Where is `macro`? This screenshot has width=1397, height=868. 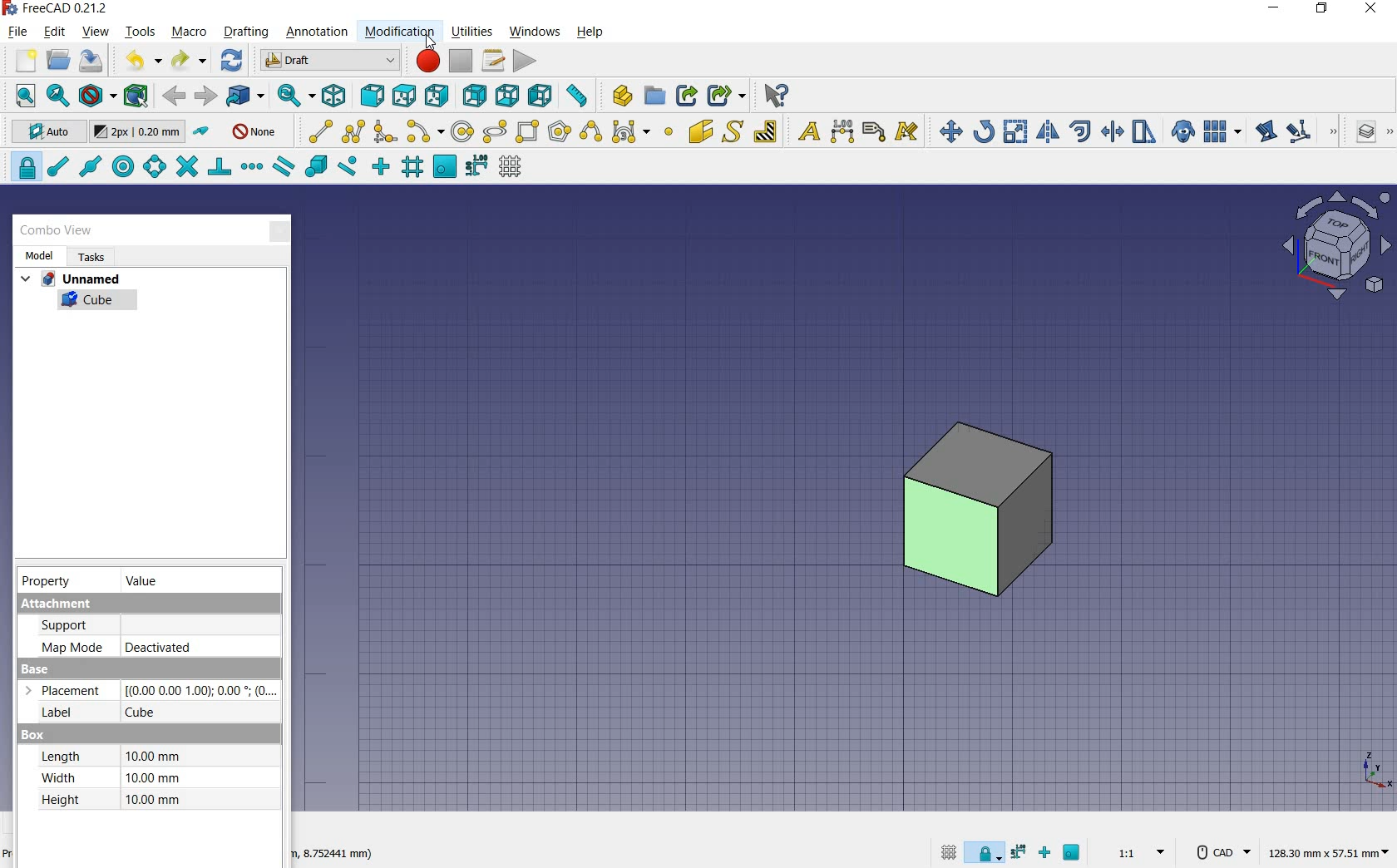
macro is located at coordinates (189, 33).